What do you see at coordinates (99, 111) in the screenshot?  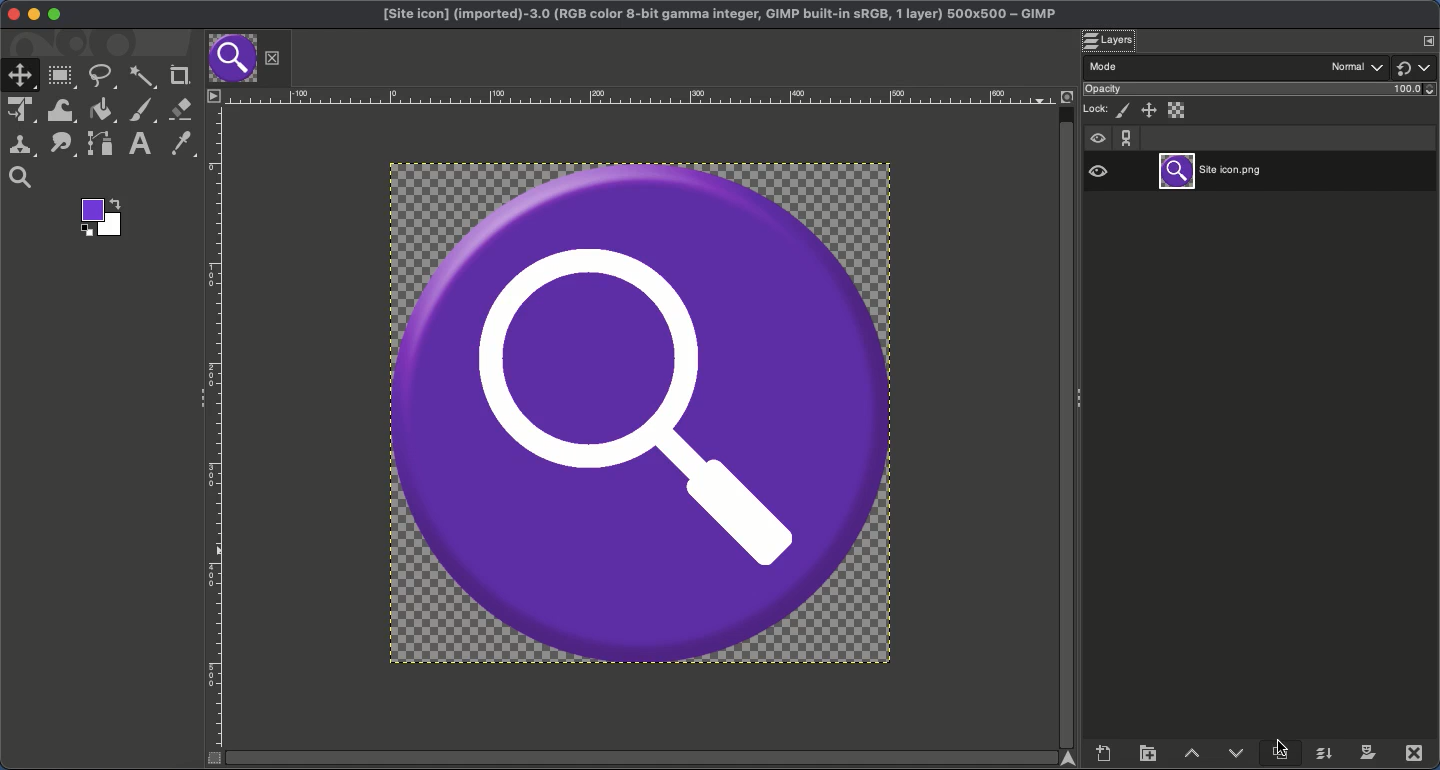 I see `Fill color` at bounding box center [99, 111].